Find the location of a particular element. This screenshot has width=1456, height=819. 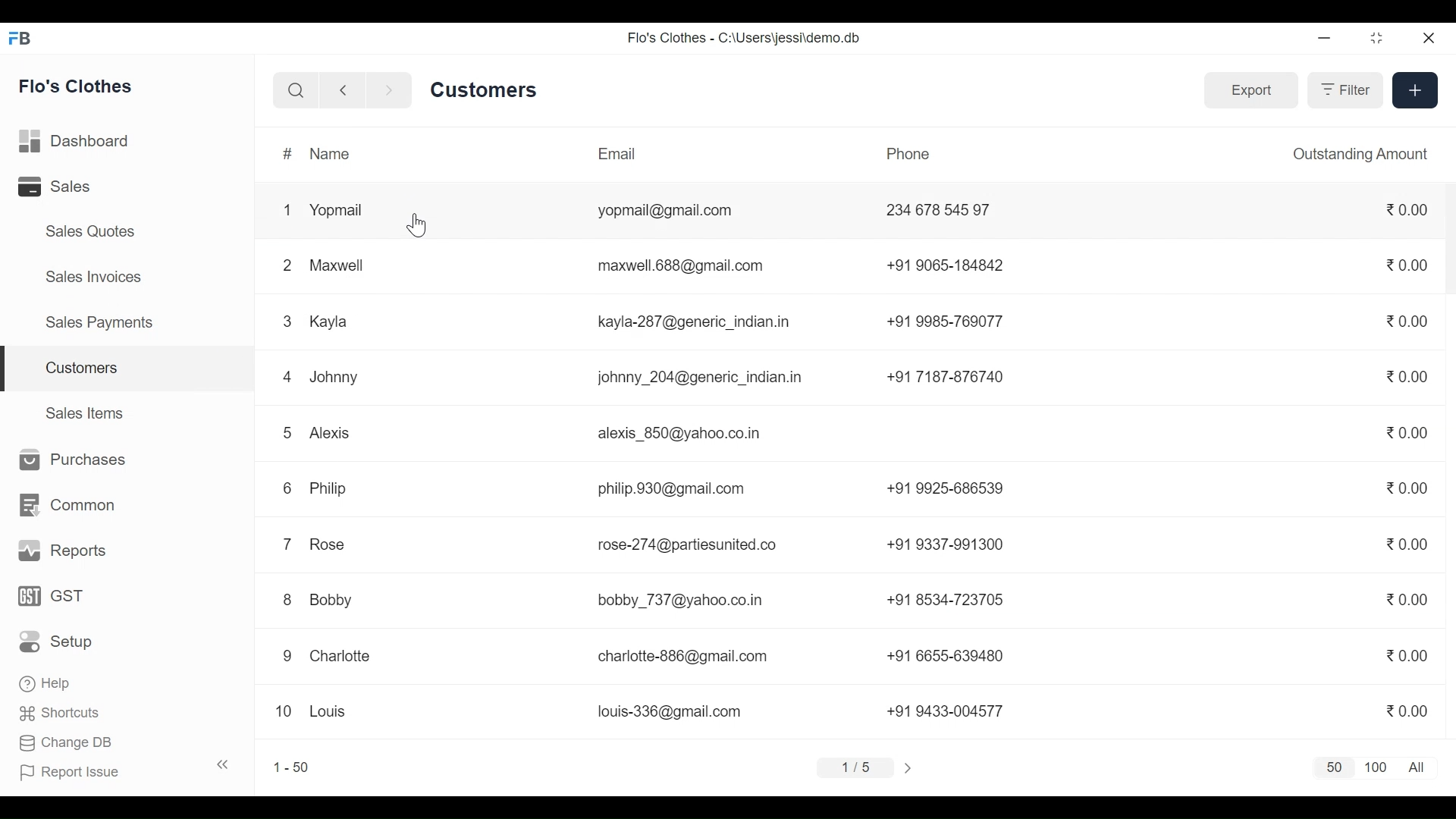

Bobby is located at coordinates (328, 598).